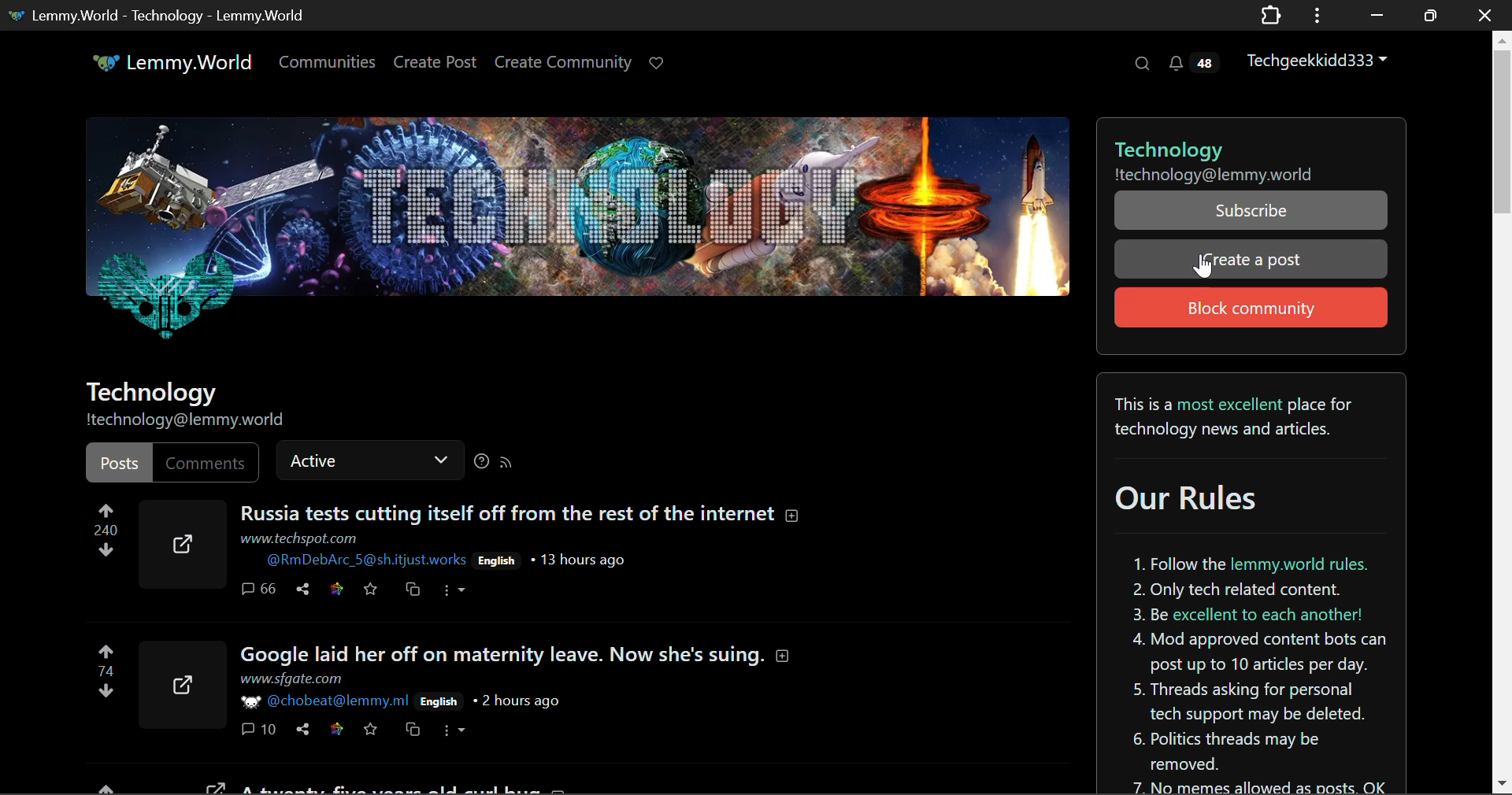 The height and width of the screenshot is (795, 1512). What do you see at coordinates (1270, 14) in the screenshot?
I see `Extensions` at bounding box center [1270, 14].